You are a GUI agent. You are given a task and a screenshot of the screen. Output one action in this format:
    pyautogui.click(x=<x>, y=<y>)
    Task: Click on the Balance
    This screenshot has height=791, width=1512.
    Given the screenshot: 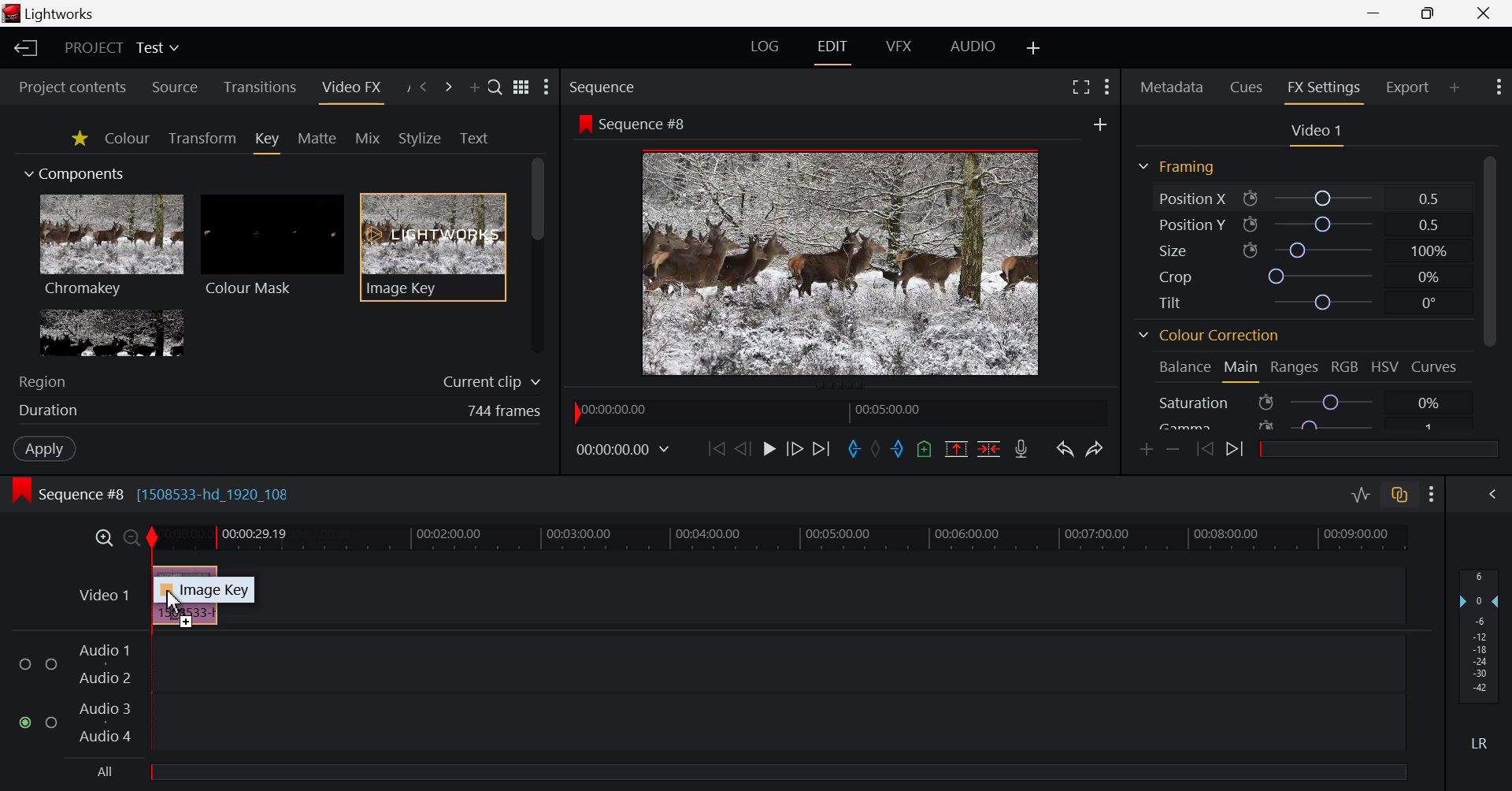 What is the action you would take?
    pyautogui.click(x=1187, y=366)
    